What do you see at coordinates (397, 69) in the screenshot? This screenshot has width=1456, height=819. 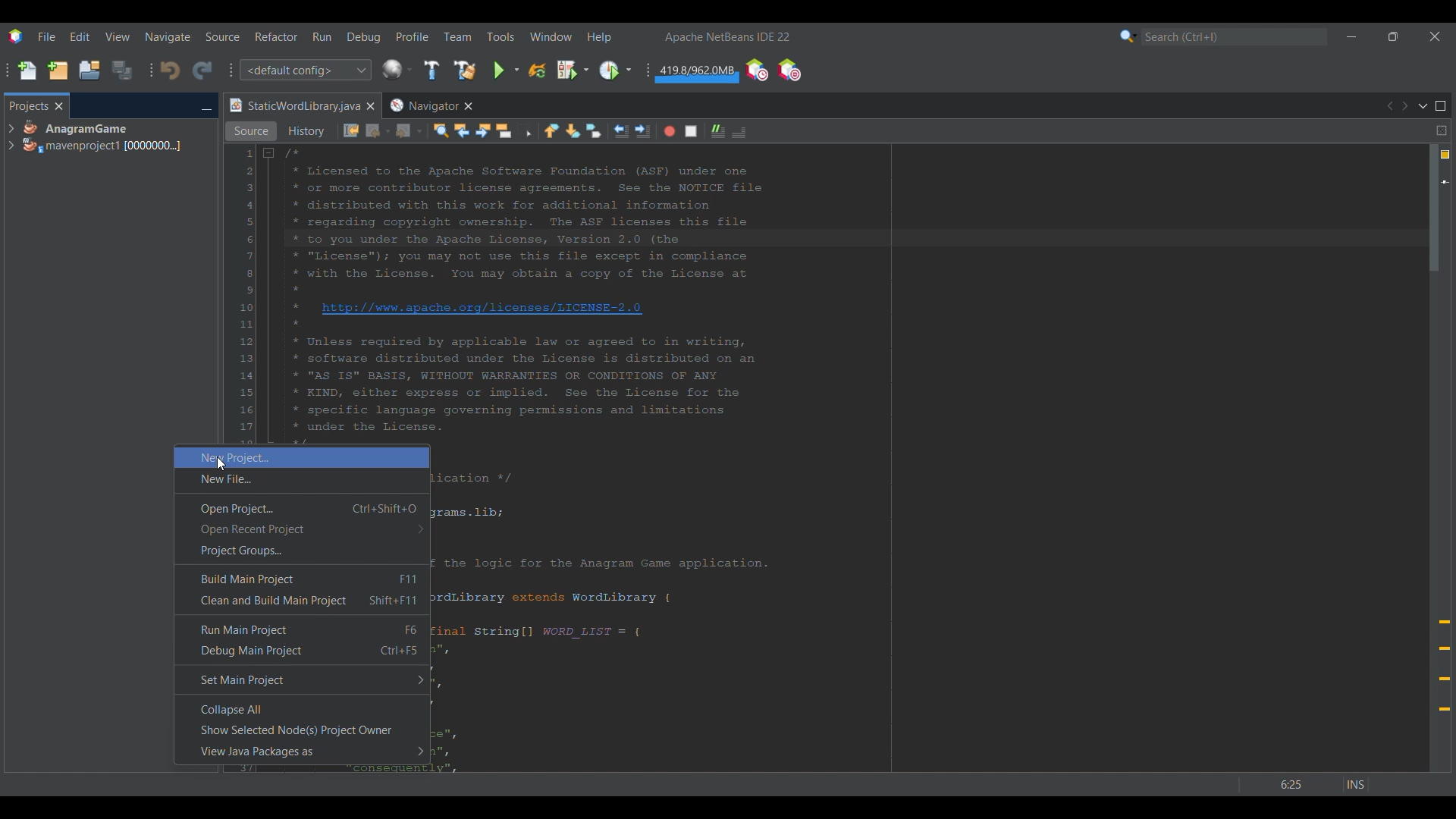 I see `Configure window` at bounding box center [397, 69].